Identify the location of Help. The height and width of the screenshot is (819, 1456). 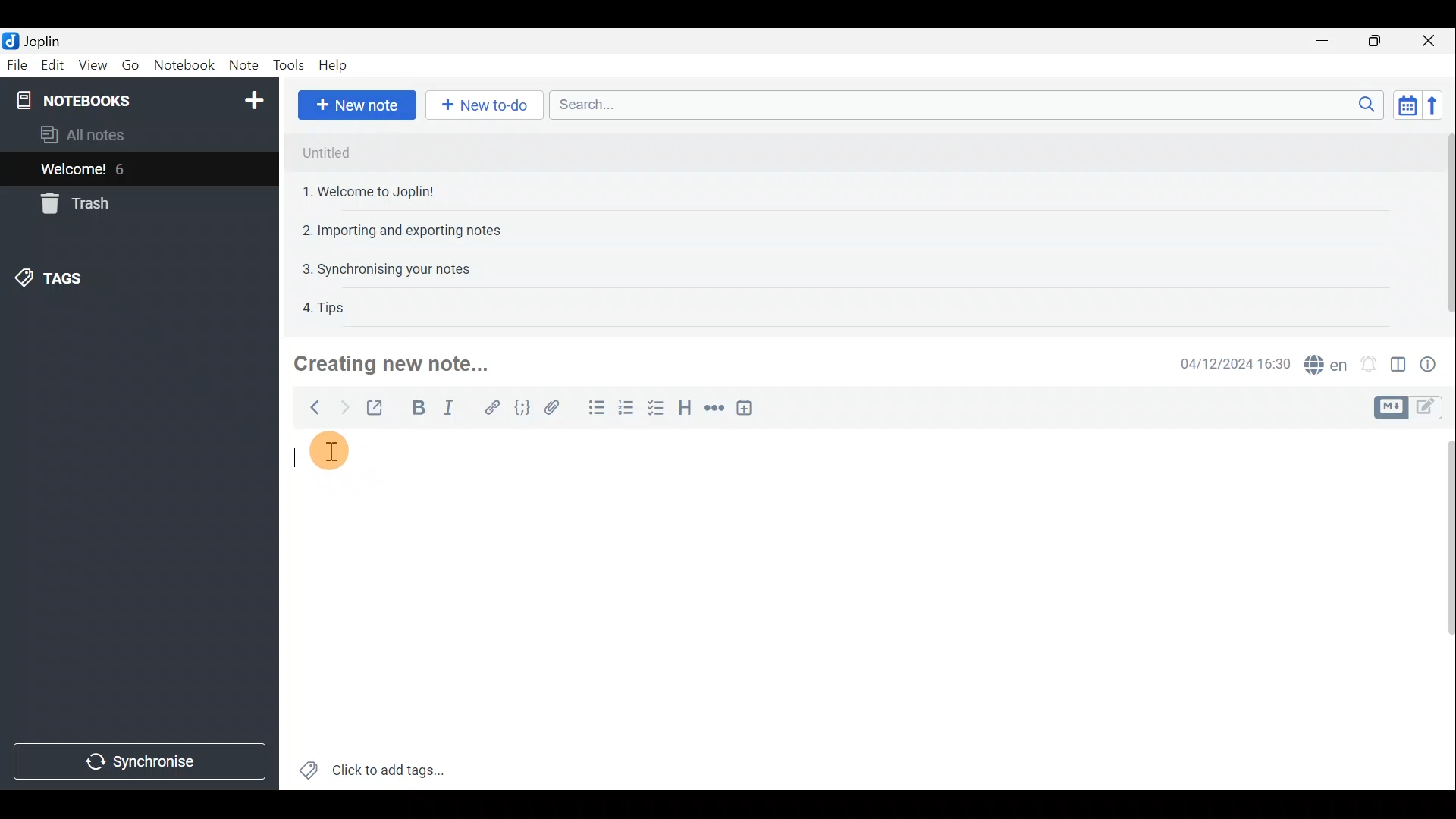
(336, 65).